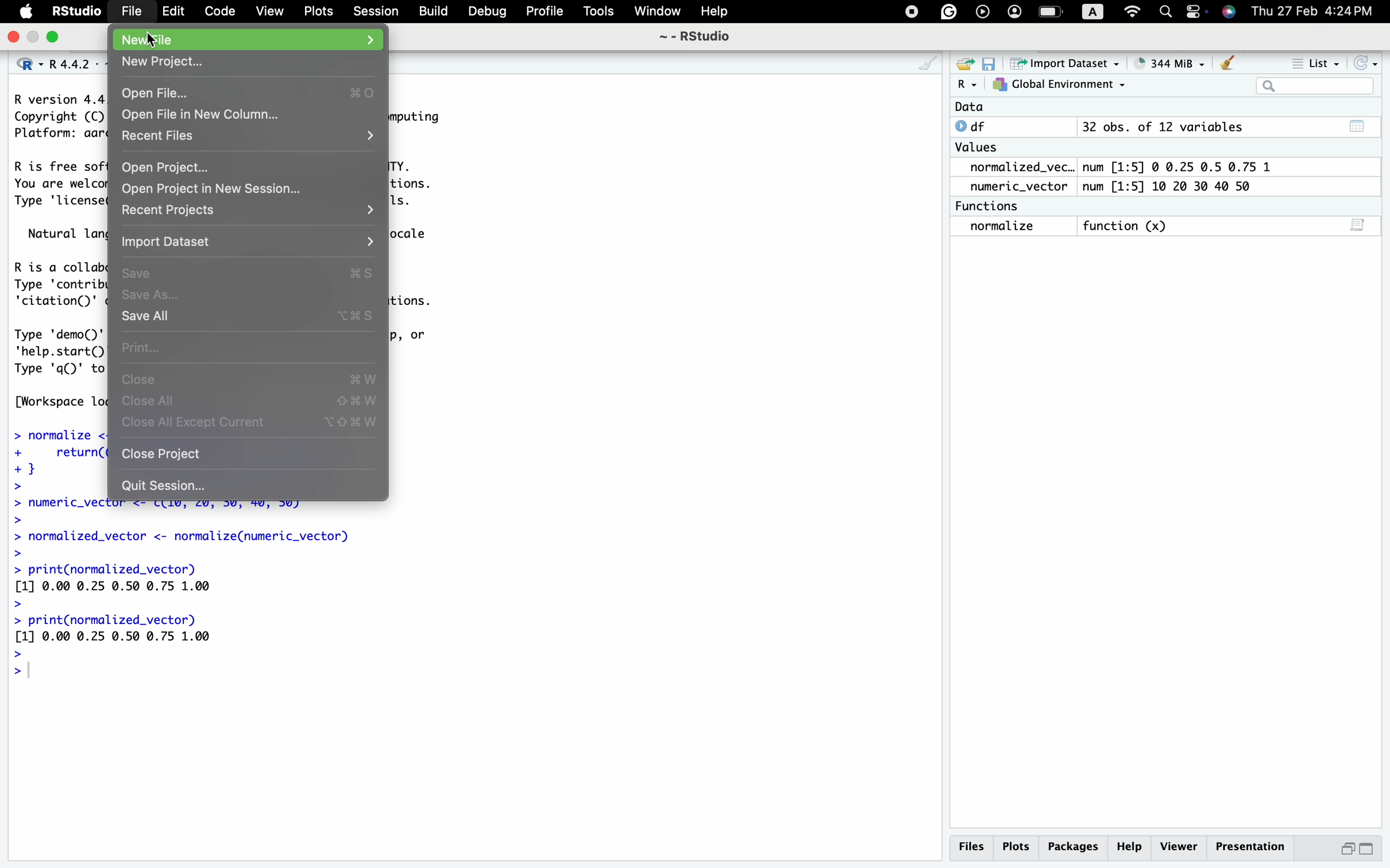 The image size is (1390, 868). I want to click on Open Project in New Session..., so click(213, 189).